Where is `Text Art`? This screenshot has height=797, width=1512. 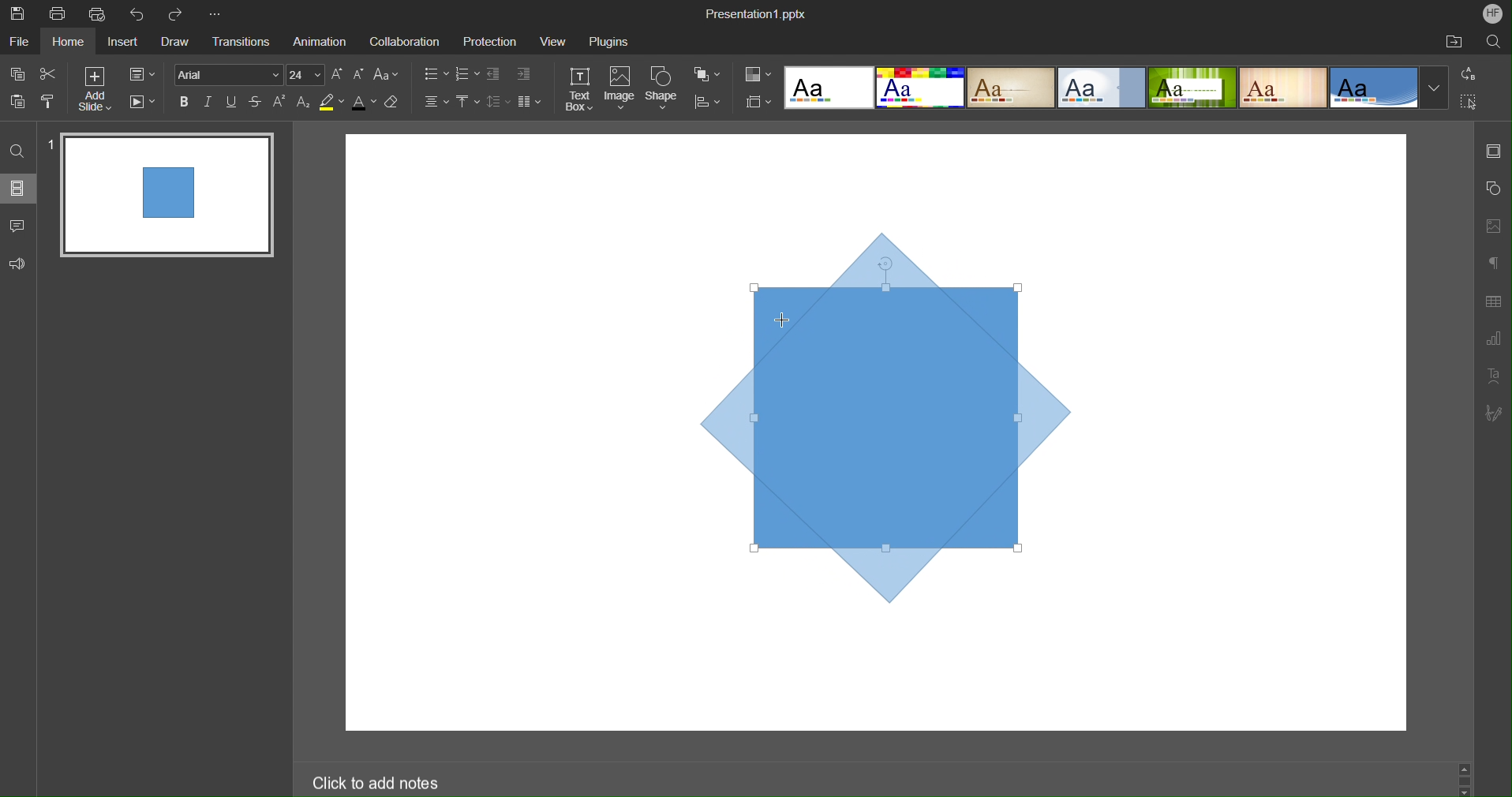 Text Art is located at coordinates (1493, 376).